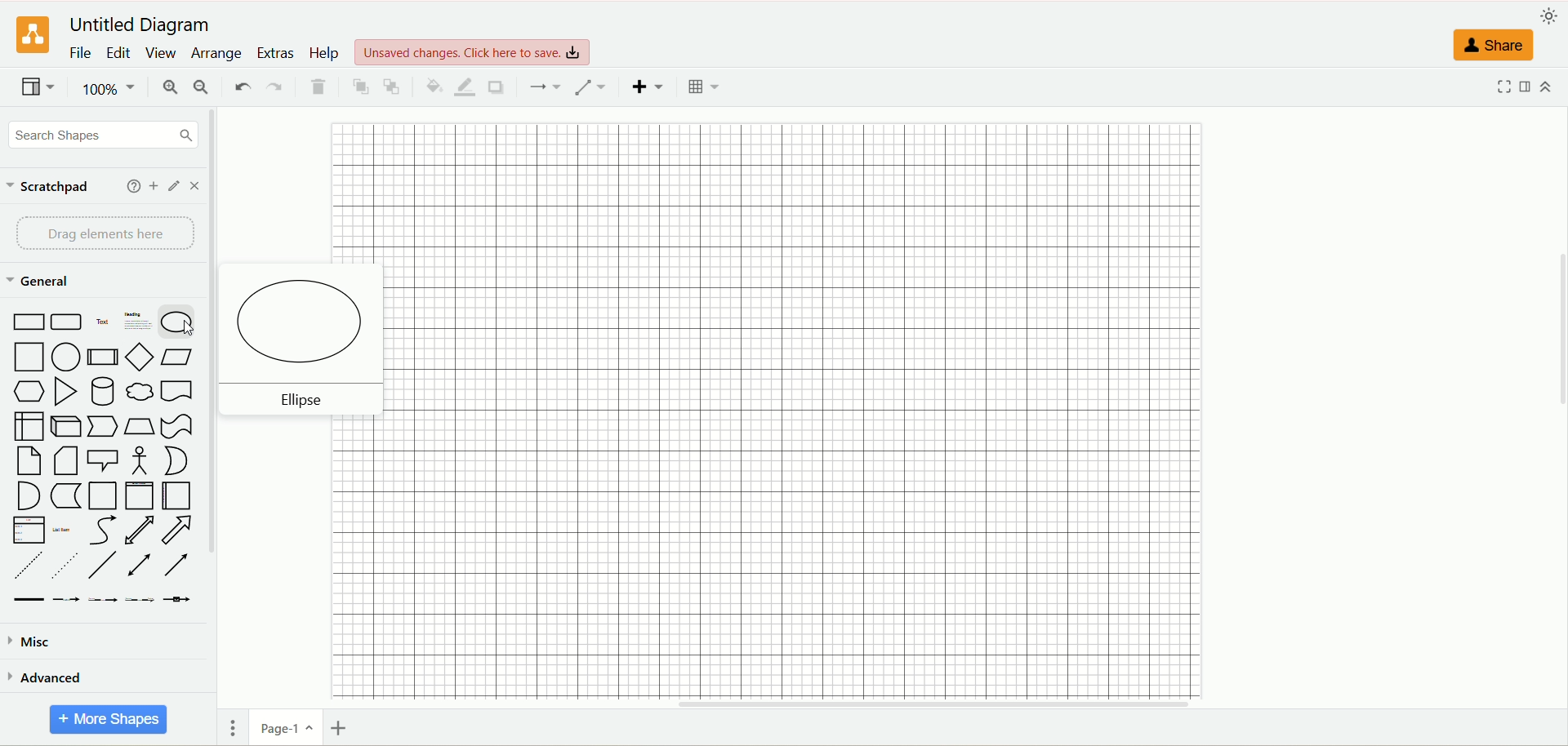  I want to click on curve arrow, so click(102, 531).